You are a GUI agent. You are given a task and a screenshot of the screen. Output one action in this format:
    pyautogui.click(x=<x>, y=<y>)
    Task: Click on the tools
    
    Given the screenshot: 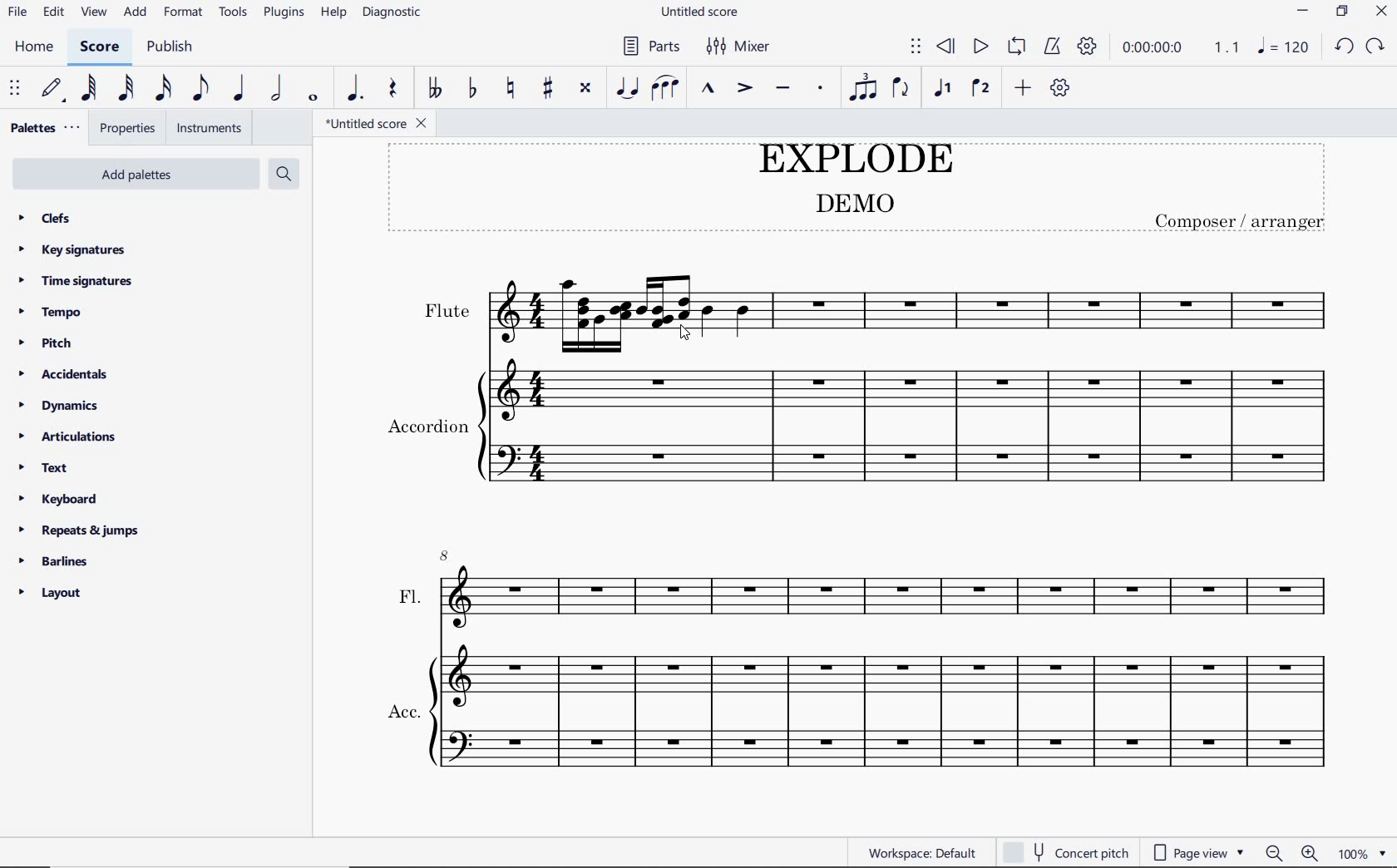 What is the action you would take?
    pyautogui.click(x=234, y=14)
    